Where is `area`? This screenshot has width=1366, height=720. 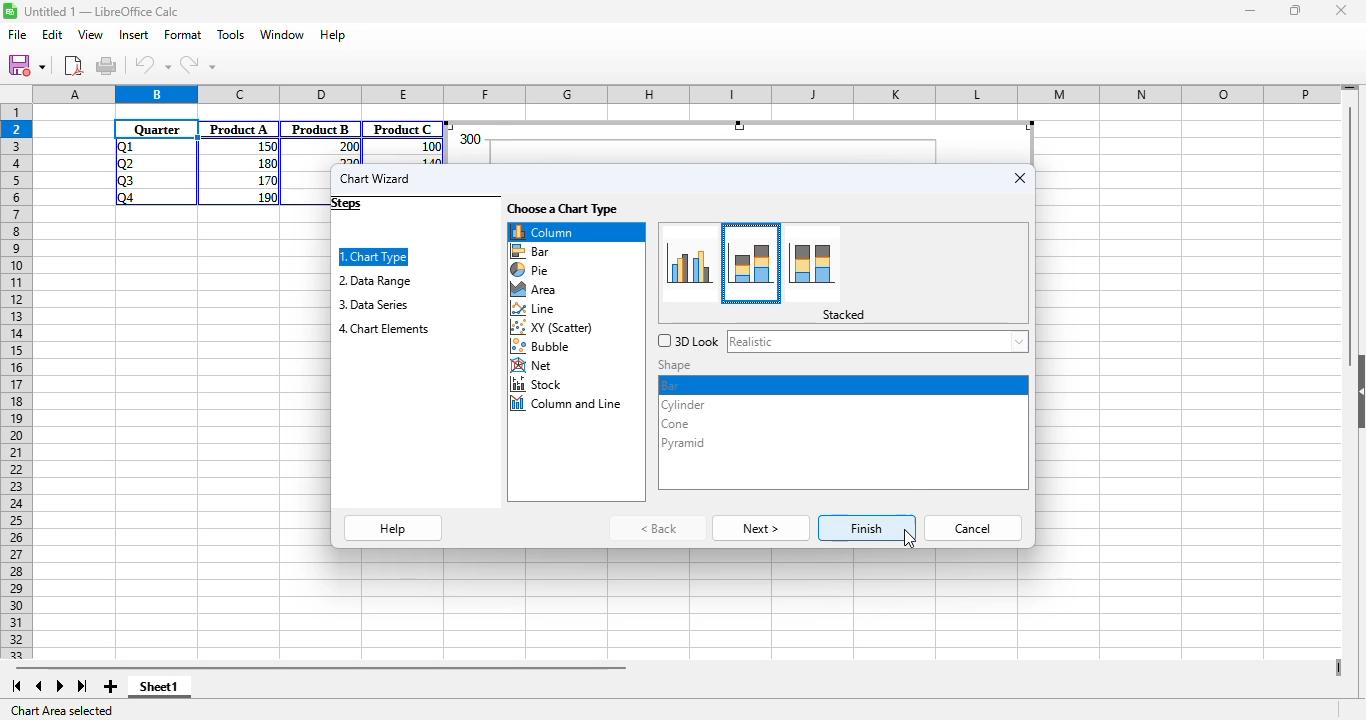
area is located at coordinates (533, 290).